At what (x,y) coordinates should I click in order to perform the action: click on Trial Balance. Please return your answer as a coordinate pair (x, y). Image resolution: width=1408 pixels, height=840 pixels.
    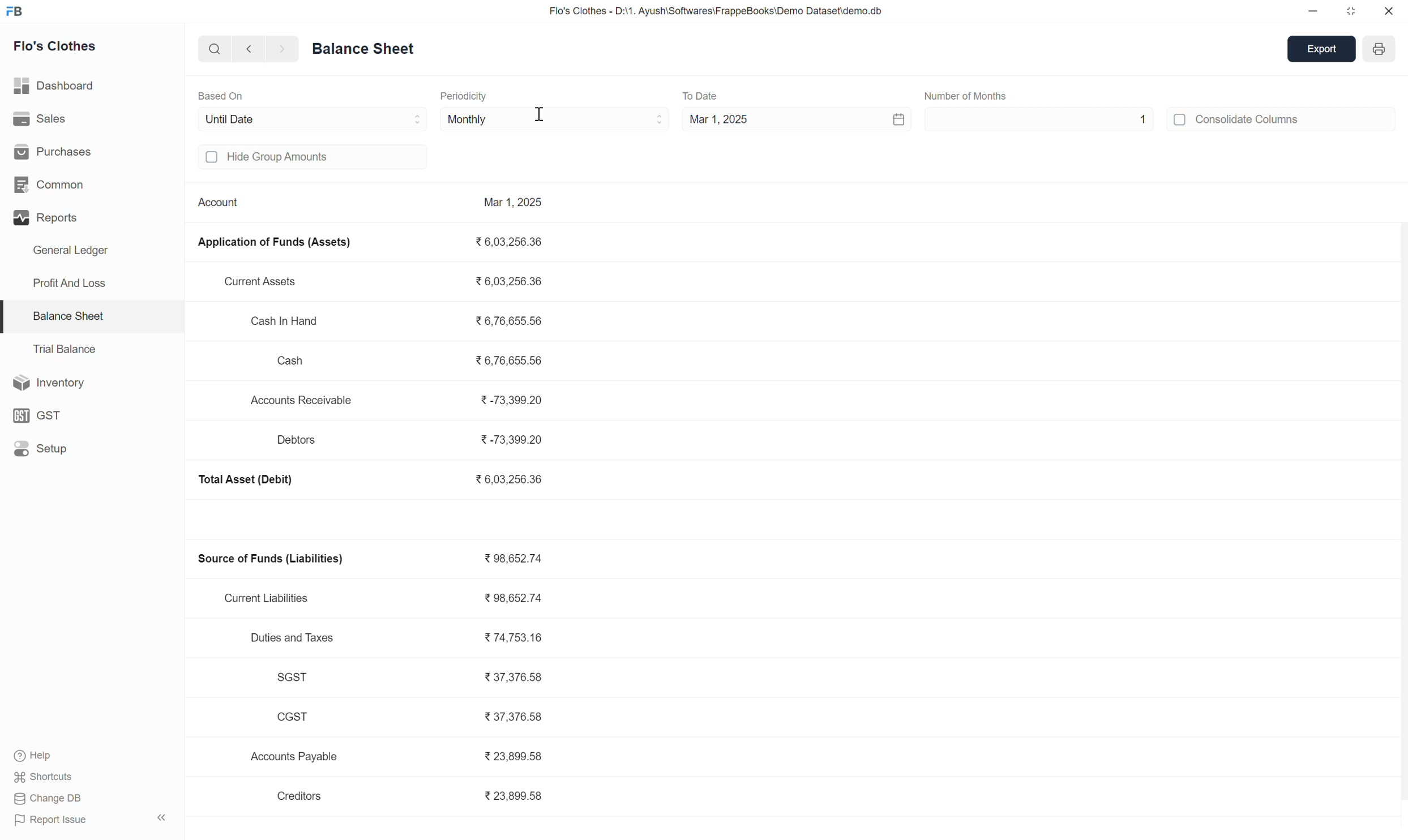
    Looking at the image, I should click on (70, 350).